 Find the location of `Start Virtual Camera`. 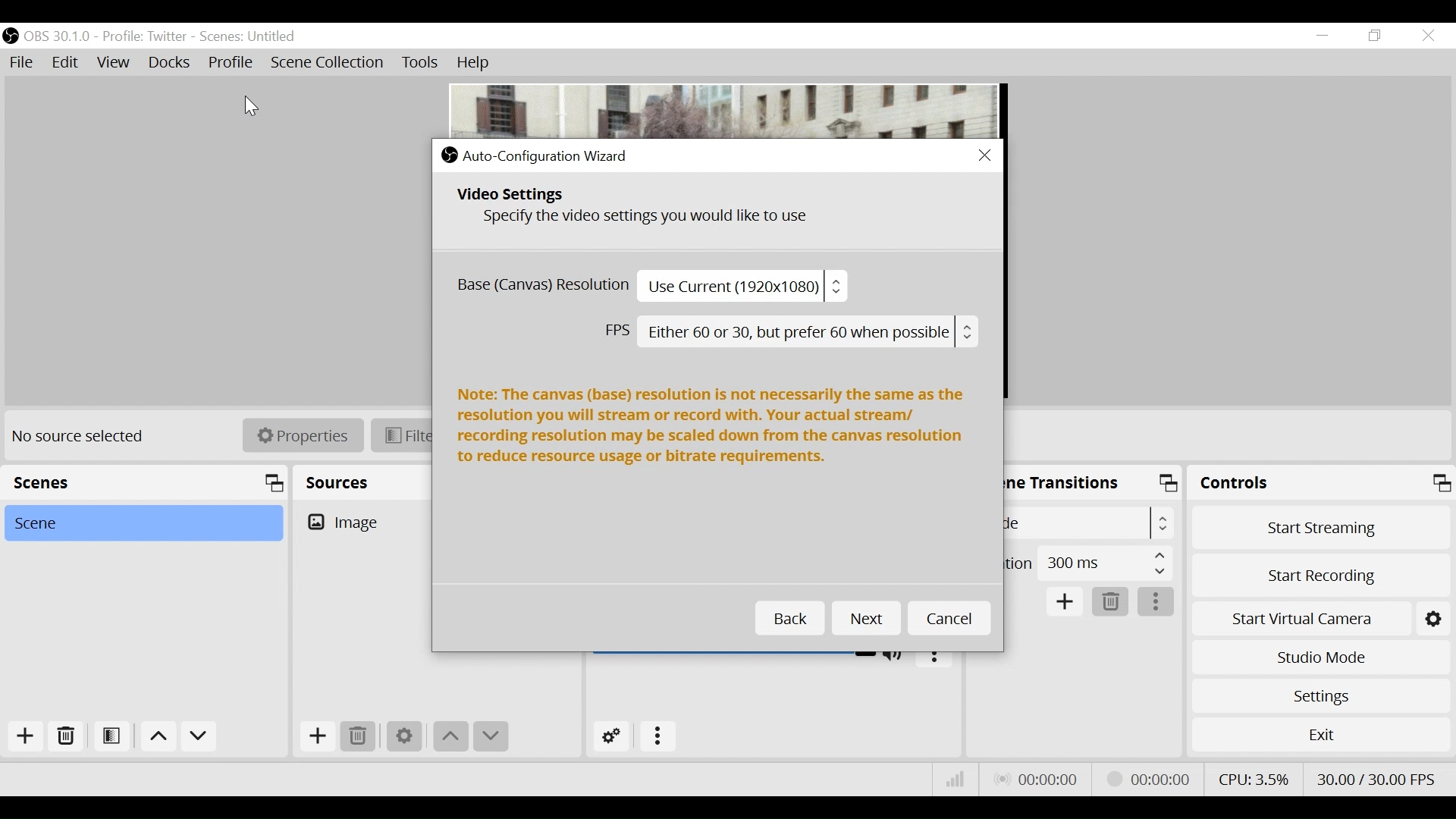

Start Virtual Camera is located at coordinates (1319, 617).